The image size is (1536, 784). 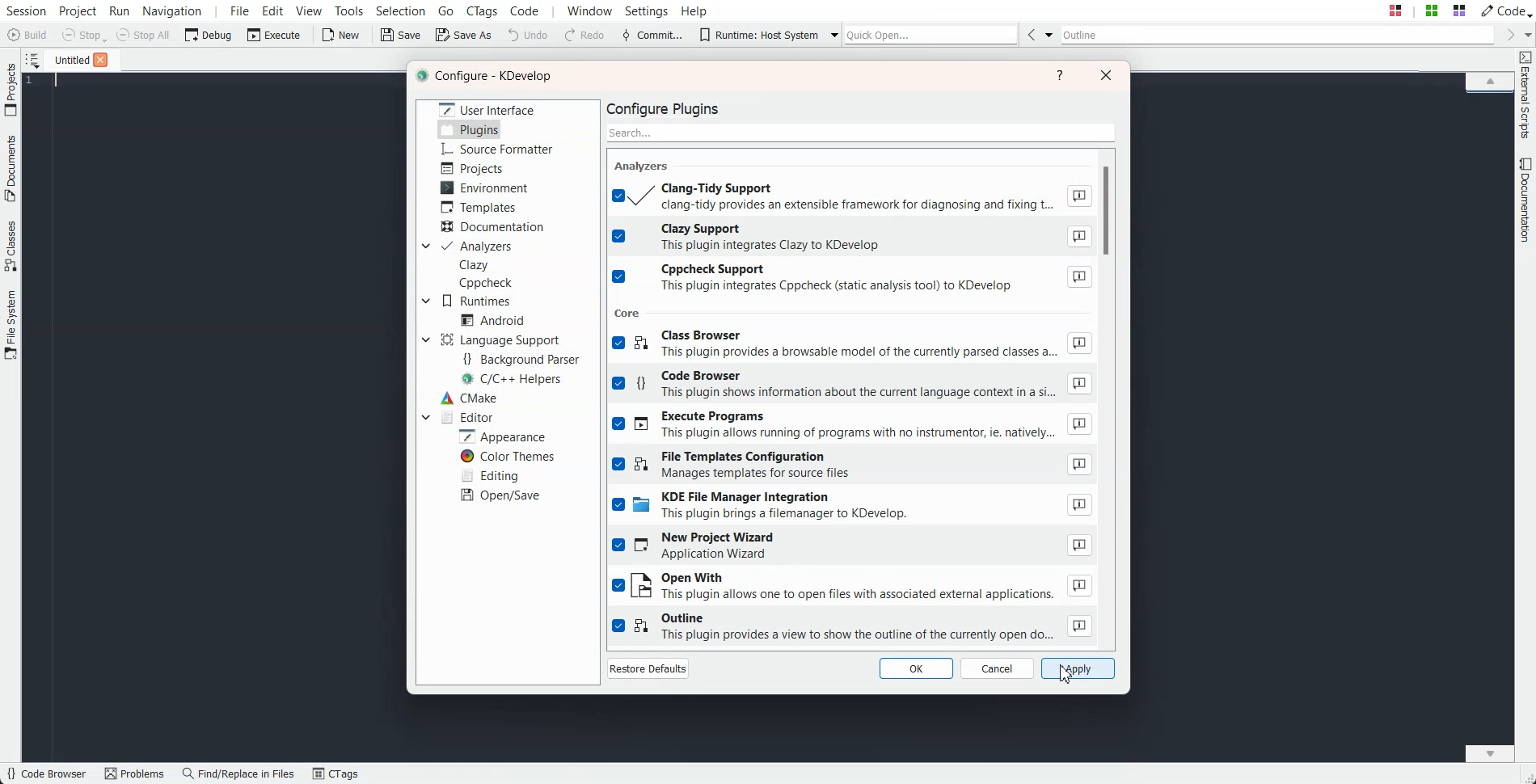 I want to click on Go Back, so click(x=1031, y=34).